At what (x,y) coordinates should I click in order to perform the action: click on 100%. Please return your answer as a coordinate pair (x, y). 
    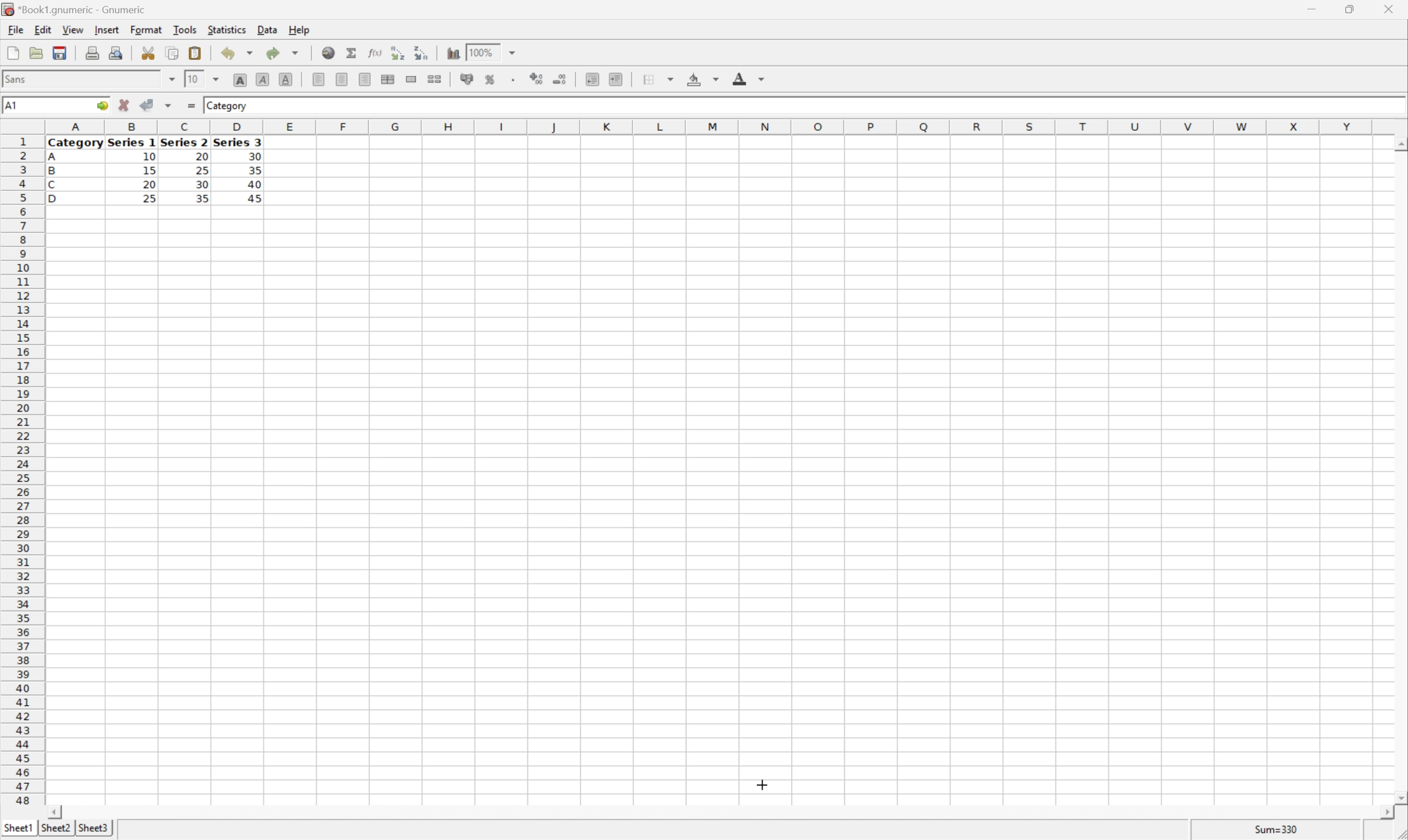
    Looking at the image, I should click on (481, 55).